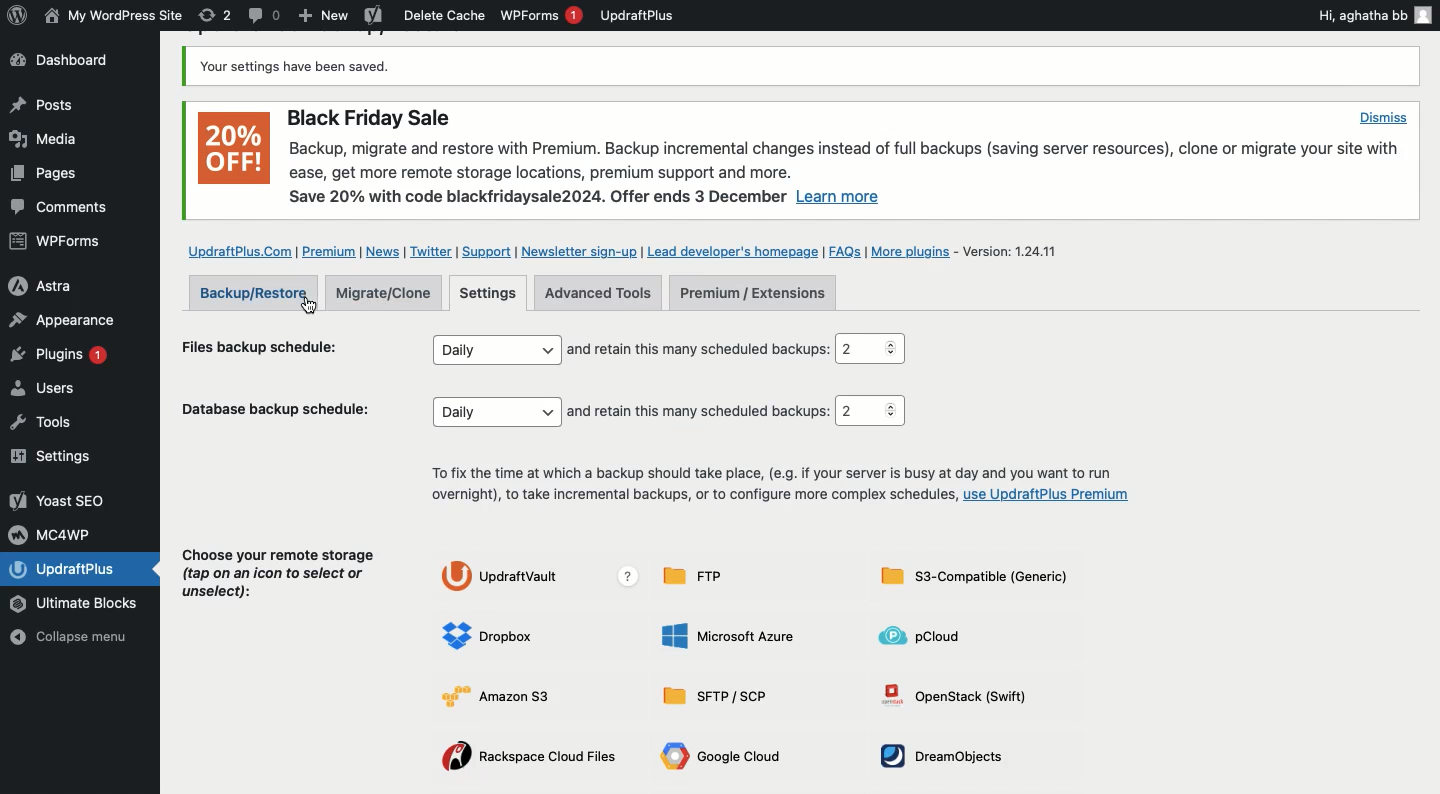 This screenshot has height=794, width=1440. I want to click on 2, so click(870, 349).